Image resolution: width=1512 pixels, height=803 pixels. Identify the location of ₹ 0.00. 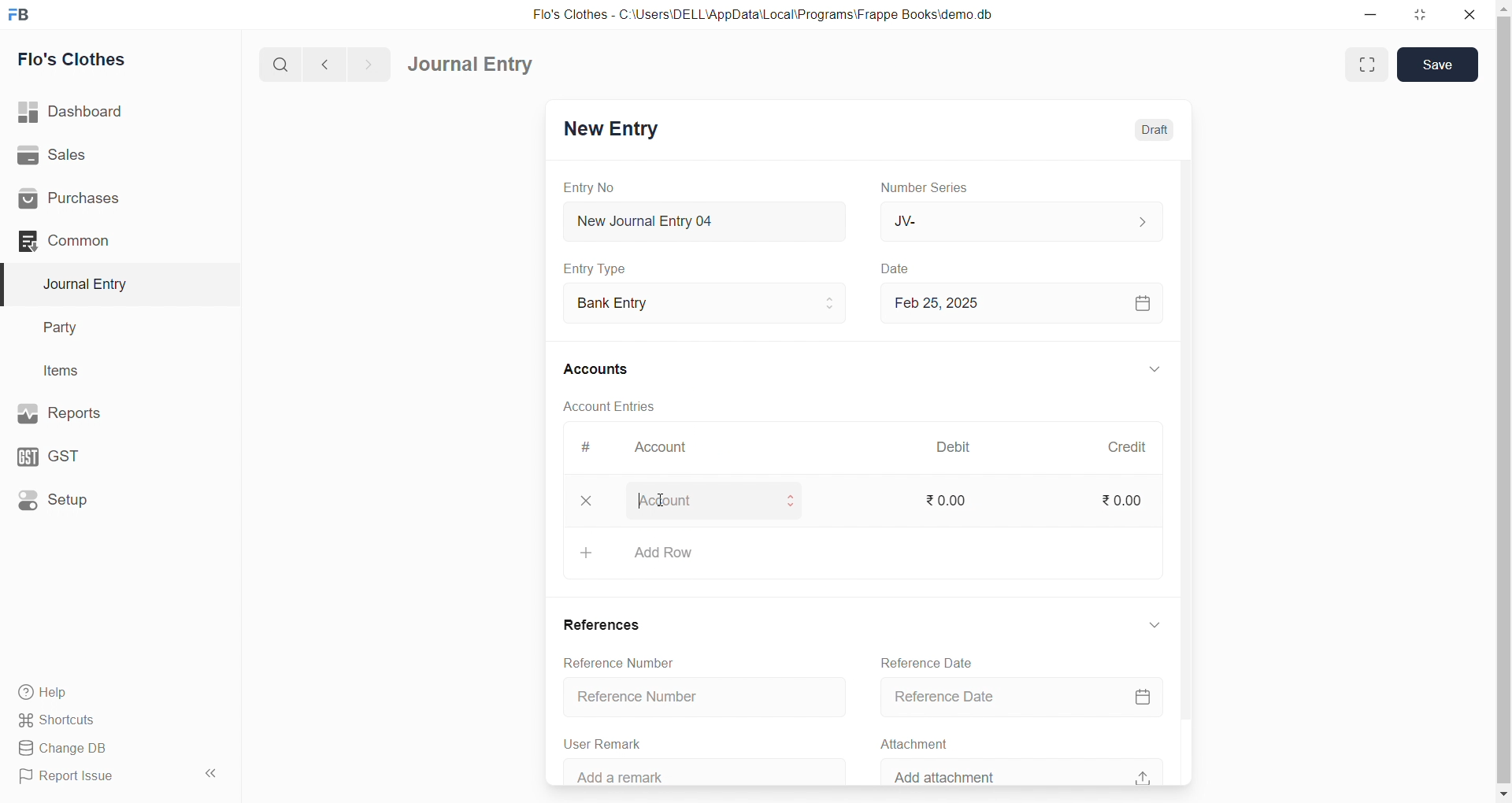
(1128, 503).